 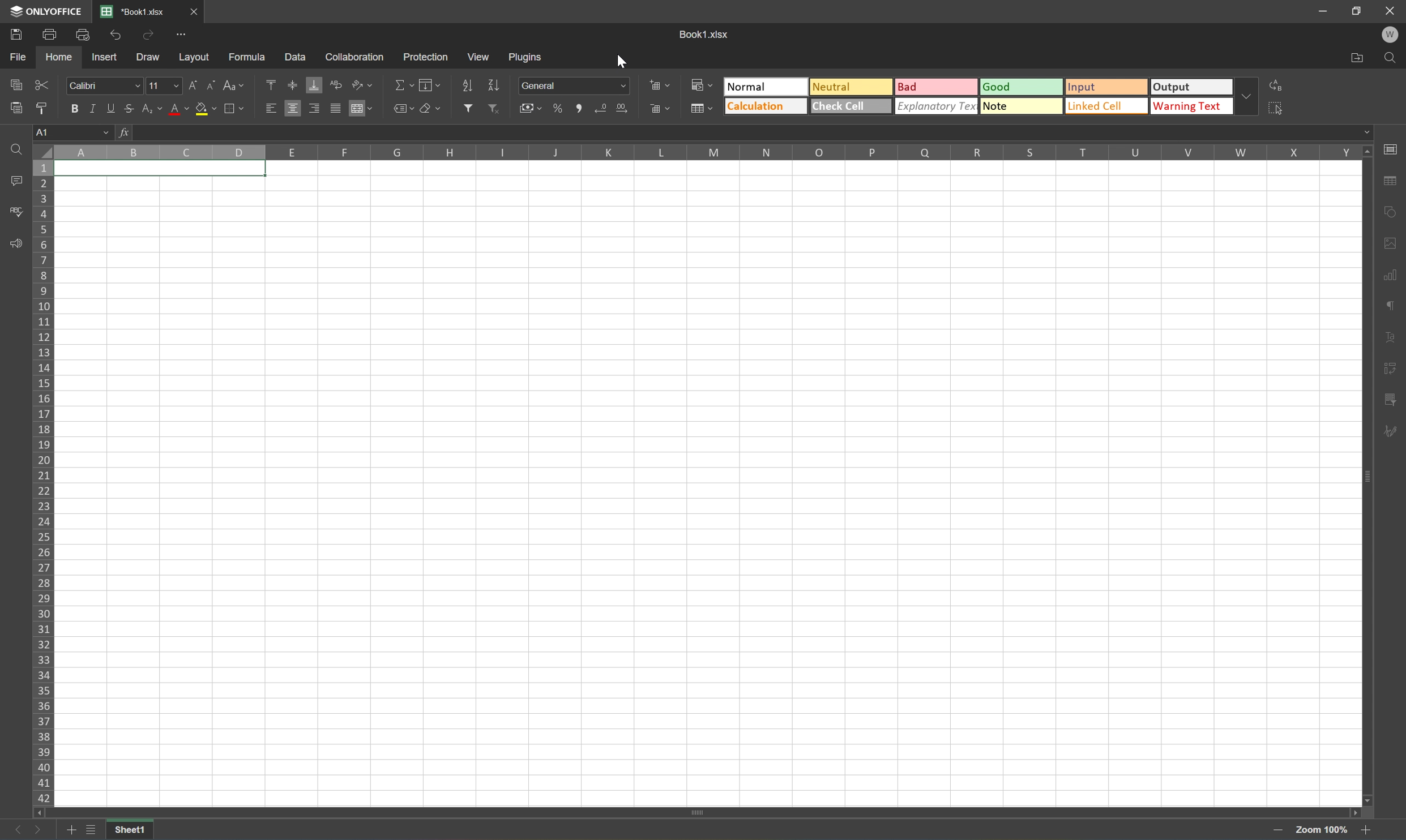 What do you see at coordinates (1279, 86) in the screenshot?
I see `Replace` at bounding box center [1279, 86].